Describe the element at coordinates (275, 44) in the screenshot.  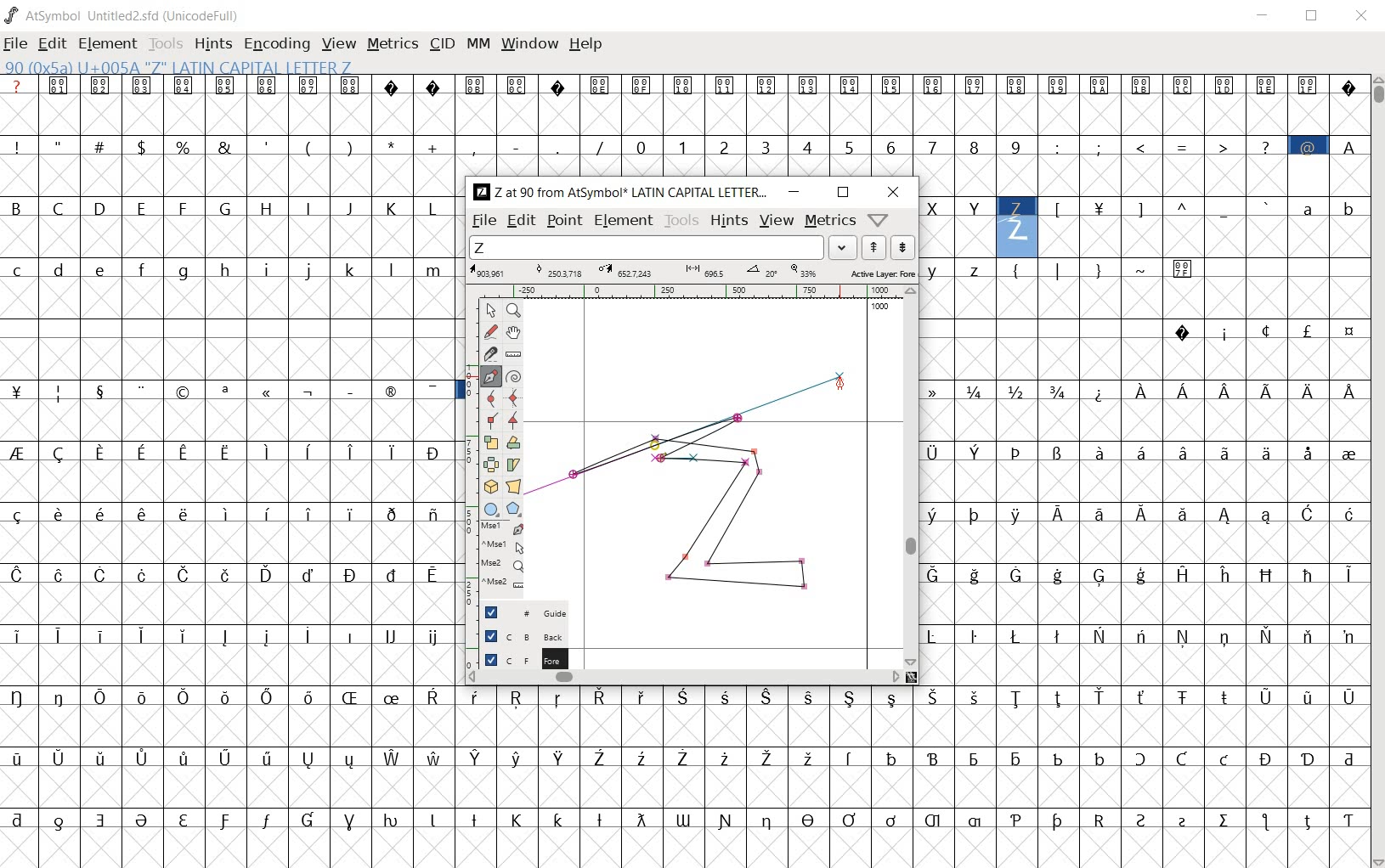
I see `encoding` at that location.